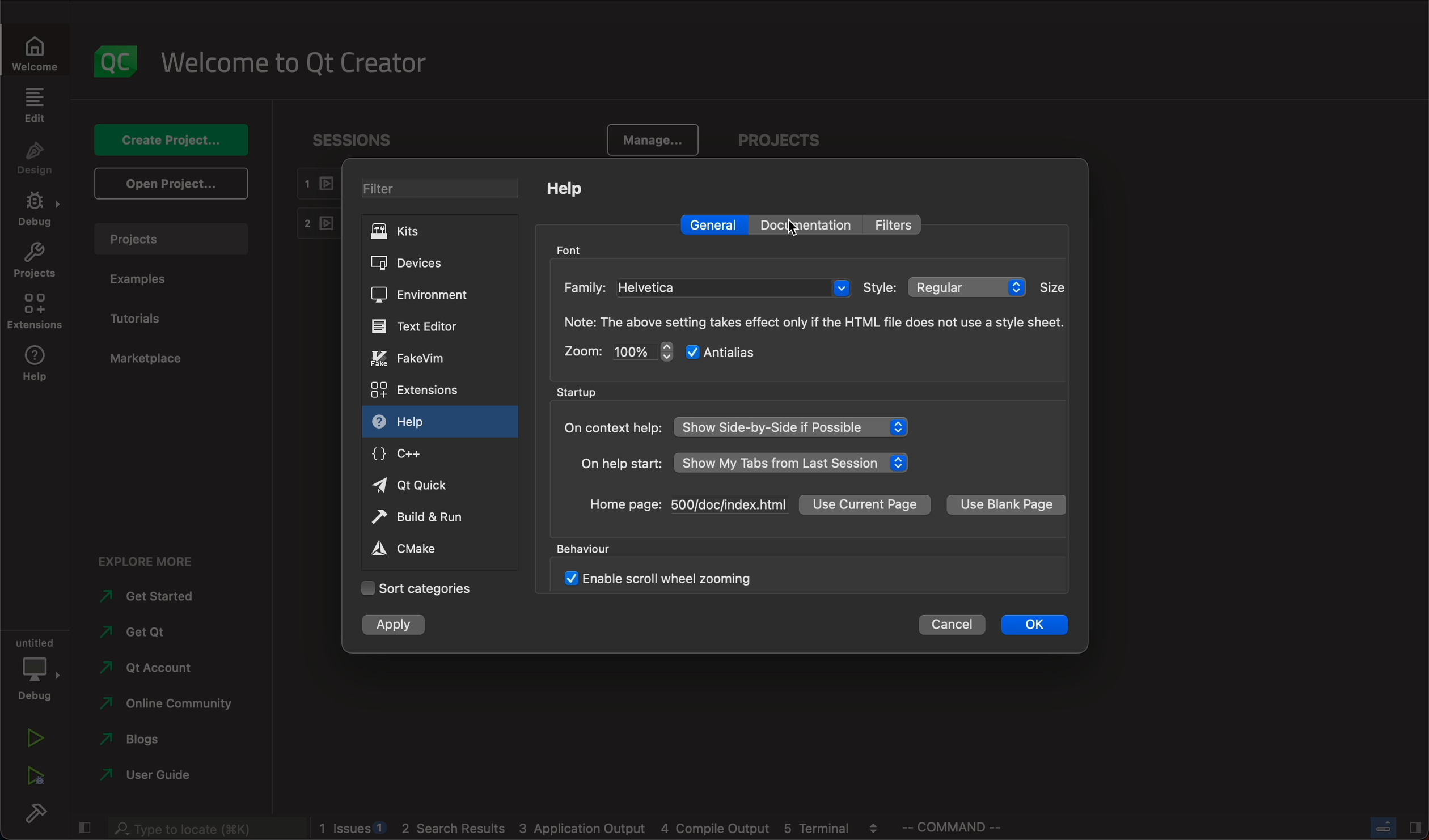 Image resolution: width=1429 pixels, height=840 pixels. Describe the element at coordinates (357, 141) in the screenshot. I see `sessions` at that location.